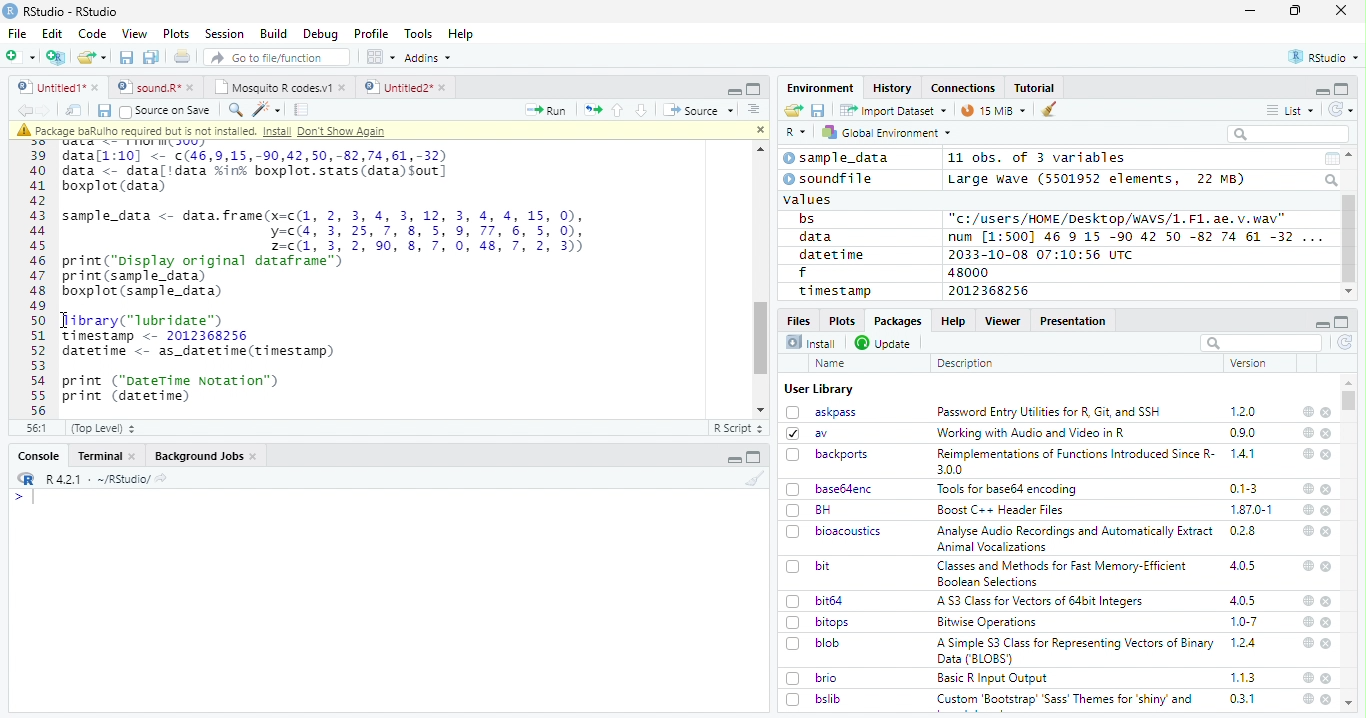 Image resolution: width=1366 pixels, height=718 pixels. Describe the element at coordinates (1351, 155) in the screenshot. I see `scroll up` at that location.